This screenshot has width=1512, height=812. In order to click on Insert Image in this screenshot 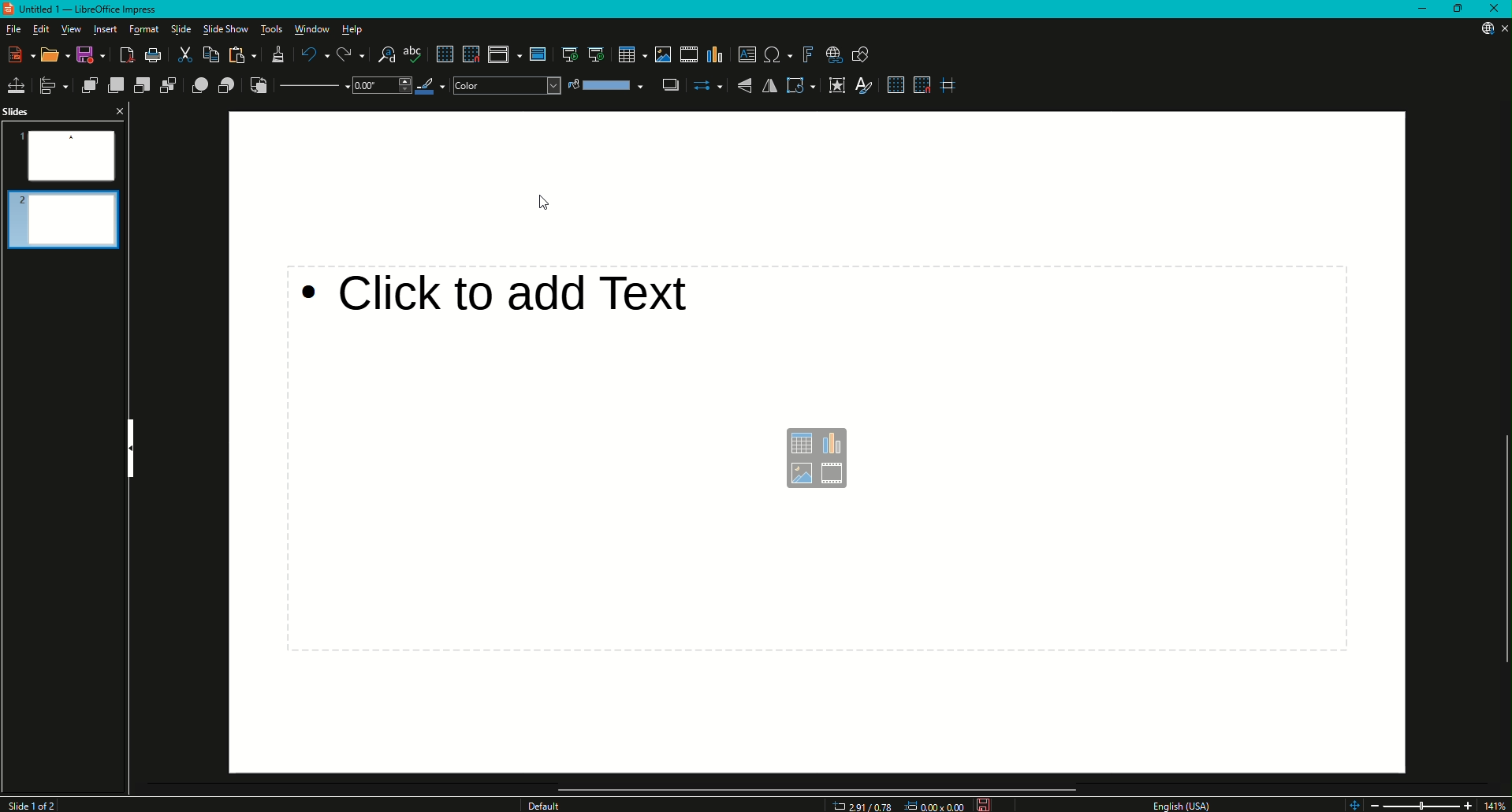, I will do `click(660, 53)`.